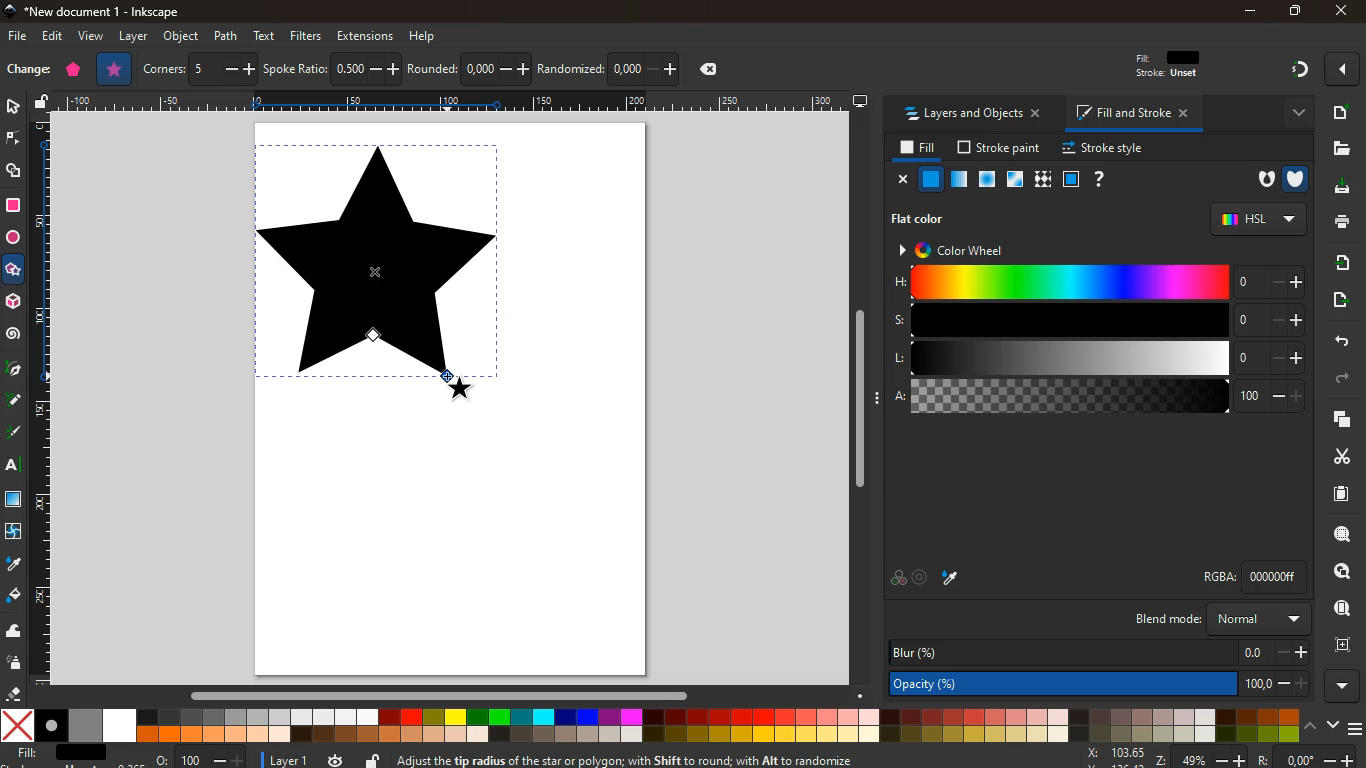 The width and height of the screenshot is (1366, 768). What do you see at coordinates (15, 207) in the screenshot?
I see `square` at bounding box center [15, 207].